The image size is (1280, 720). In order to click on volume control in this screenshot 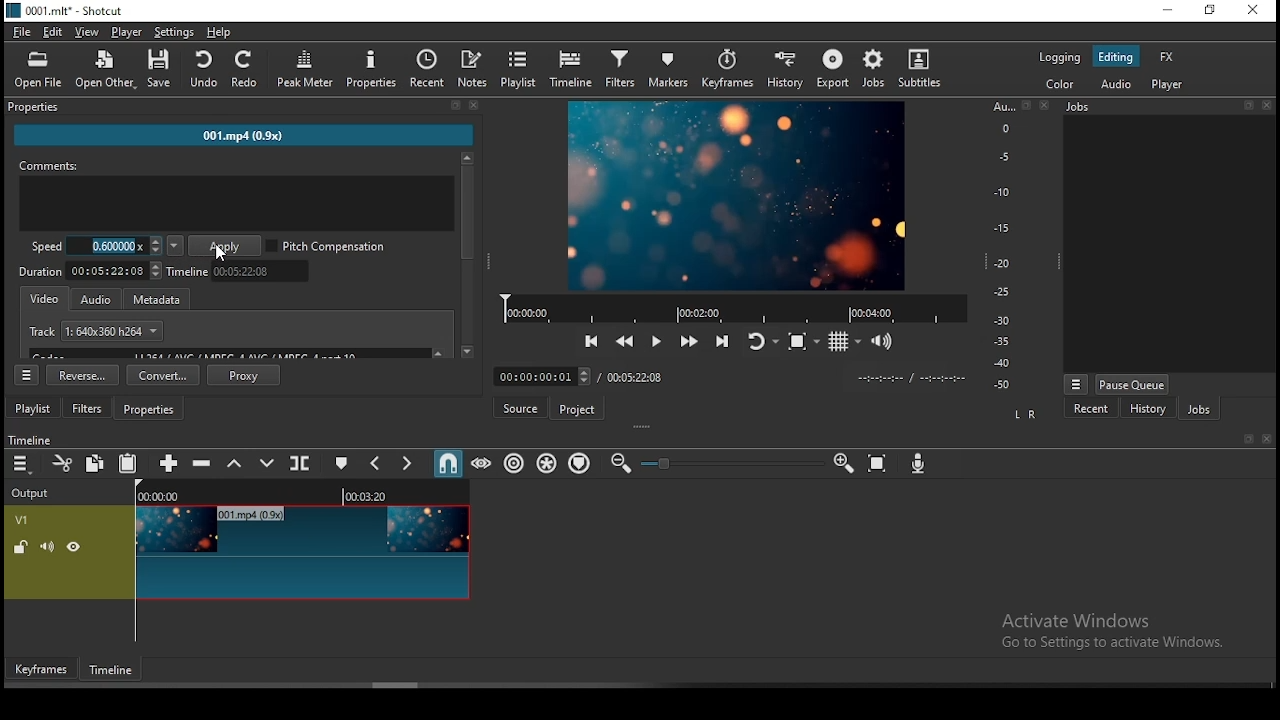, I will do `click(883, 341)`.